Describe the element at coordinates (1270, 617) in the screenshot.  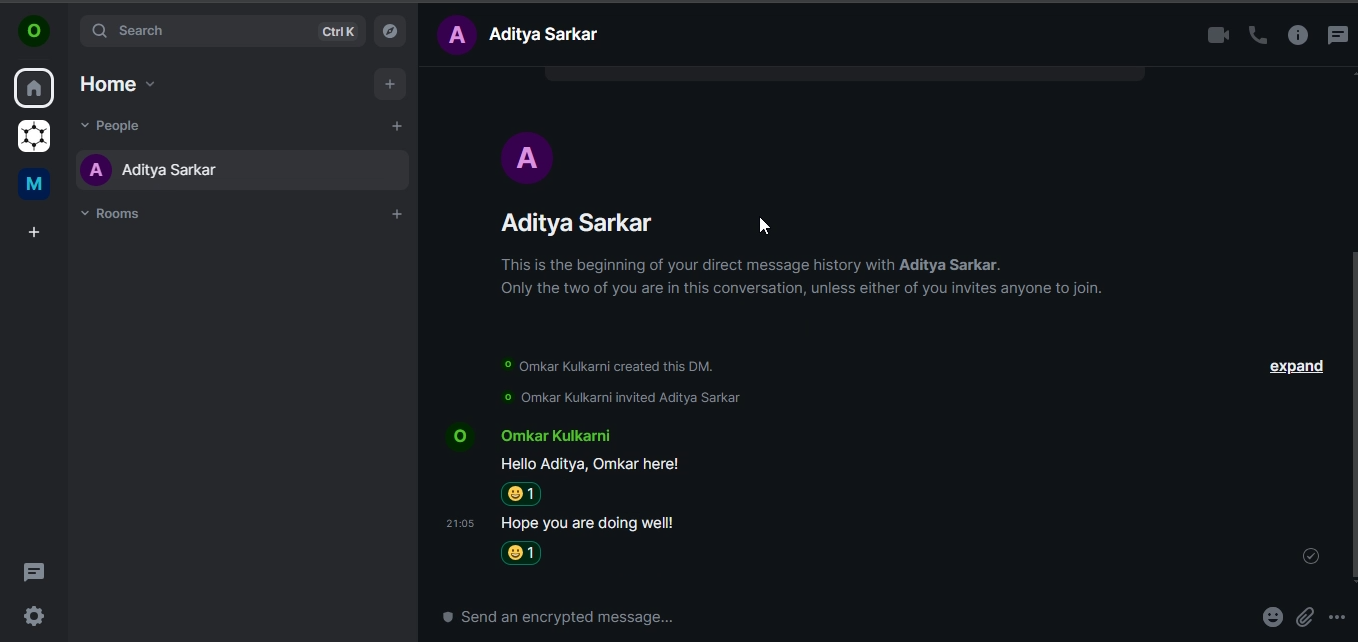
I see `emoji` at that location.